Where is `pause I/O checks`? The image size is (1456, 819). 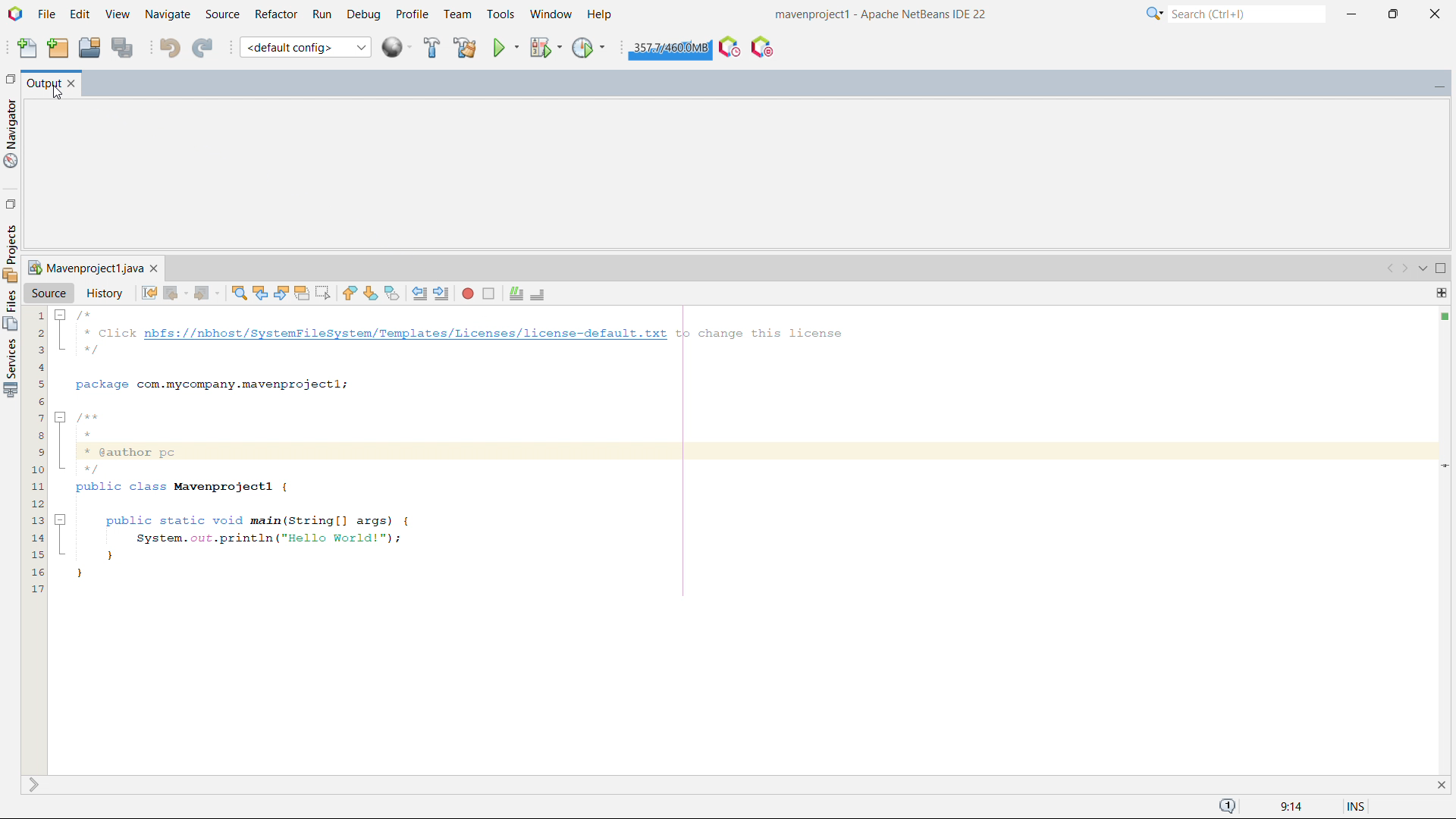 pause I/O checks is located at coordinates (763, 47).